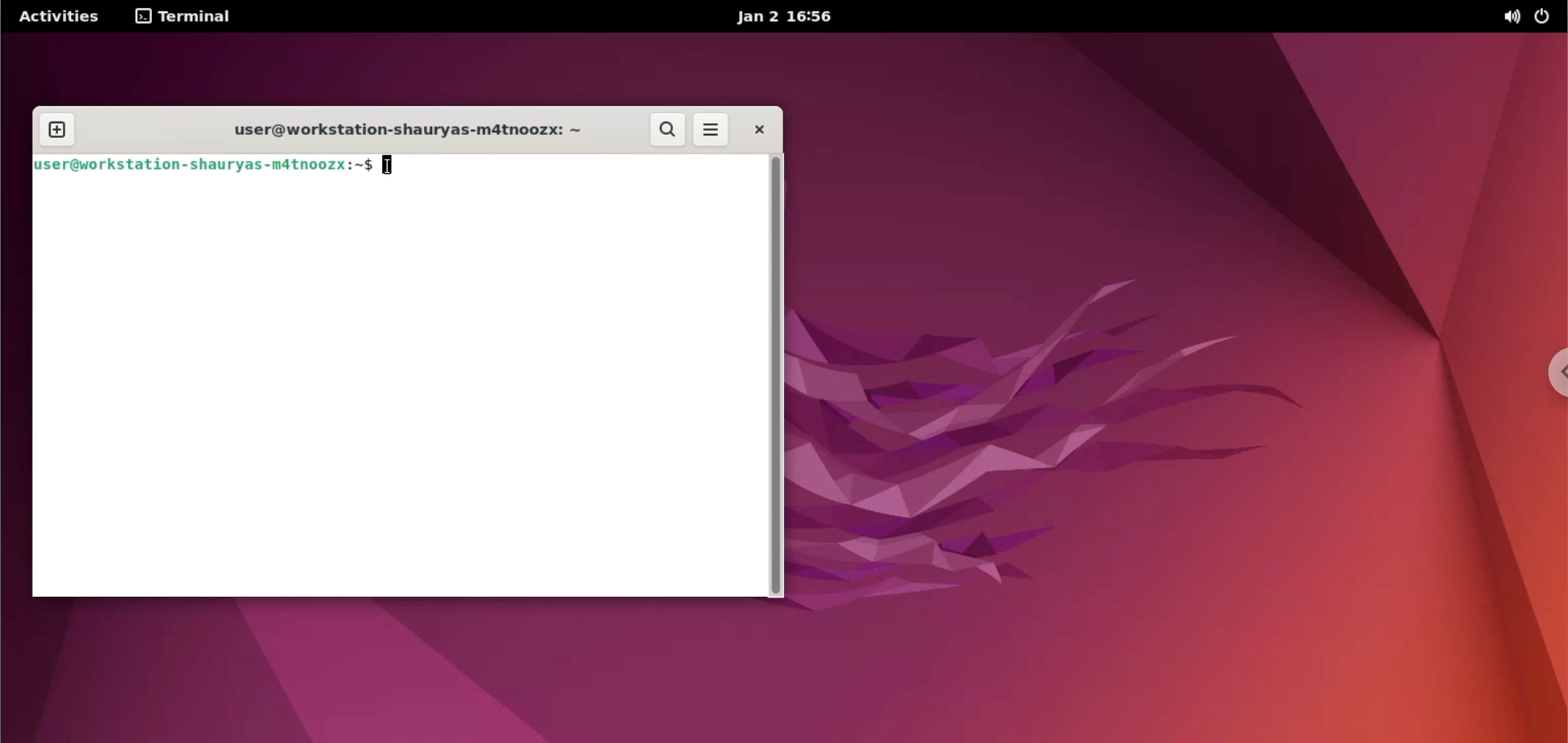 This screenshot has height=743, width=1568. What do you see at coordinates (709, 130) in the screenshot?
I see `more options` at bounding box center [709, 130].